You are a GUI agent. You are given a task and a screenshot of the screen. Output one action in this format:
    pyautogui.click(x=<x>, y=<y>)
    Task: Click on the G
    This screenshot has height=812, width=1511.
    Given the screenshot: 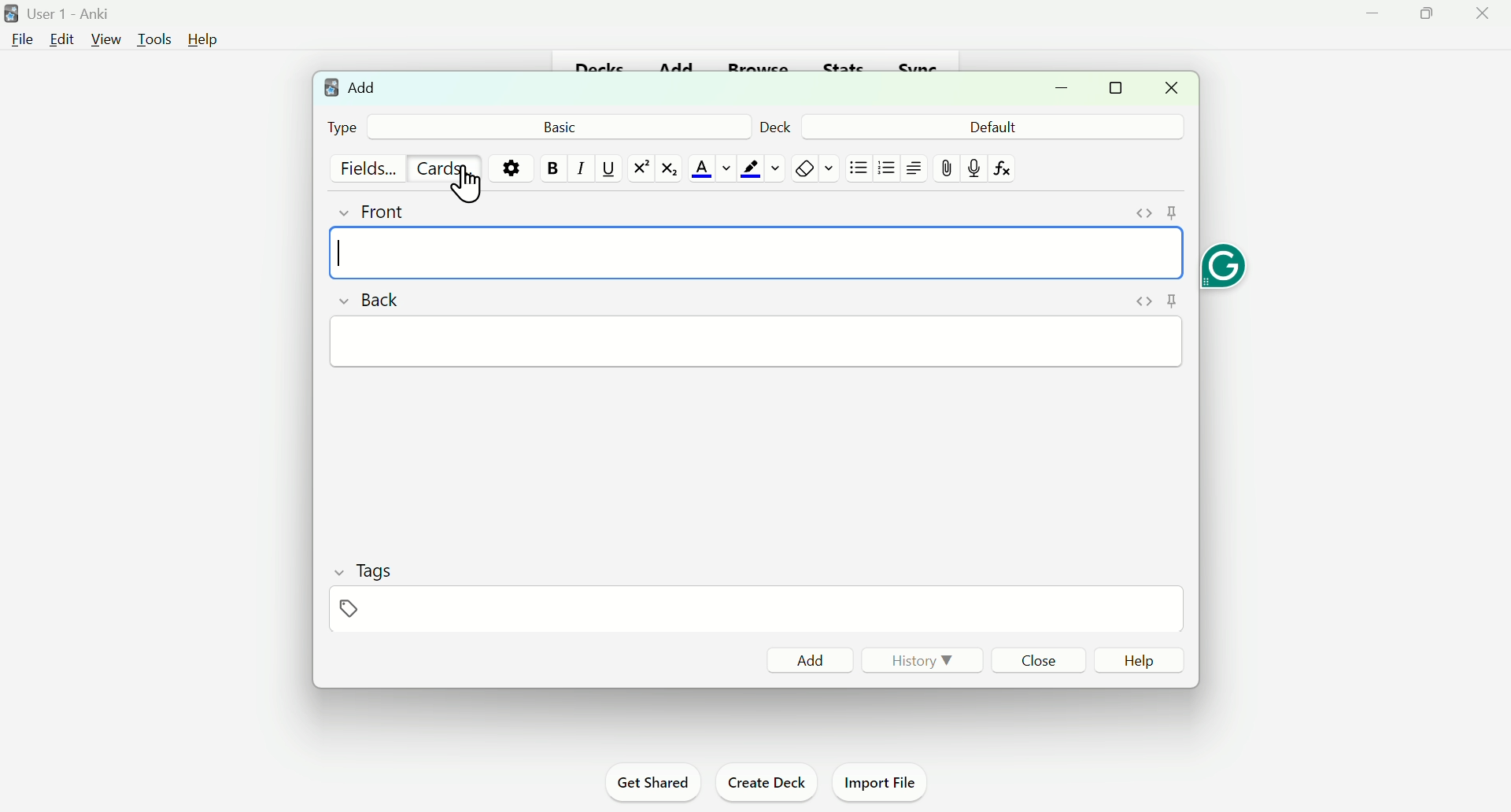 What is the action you would take?
    pyautogui.click(x=1225, y=267)
    